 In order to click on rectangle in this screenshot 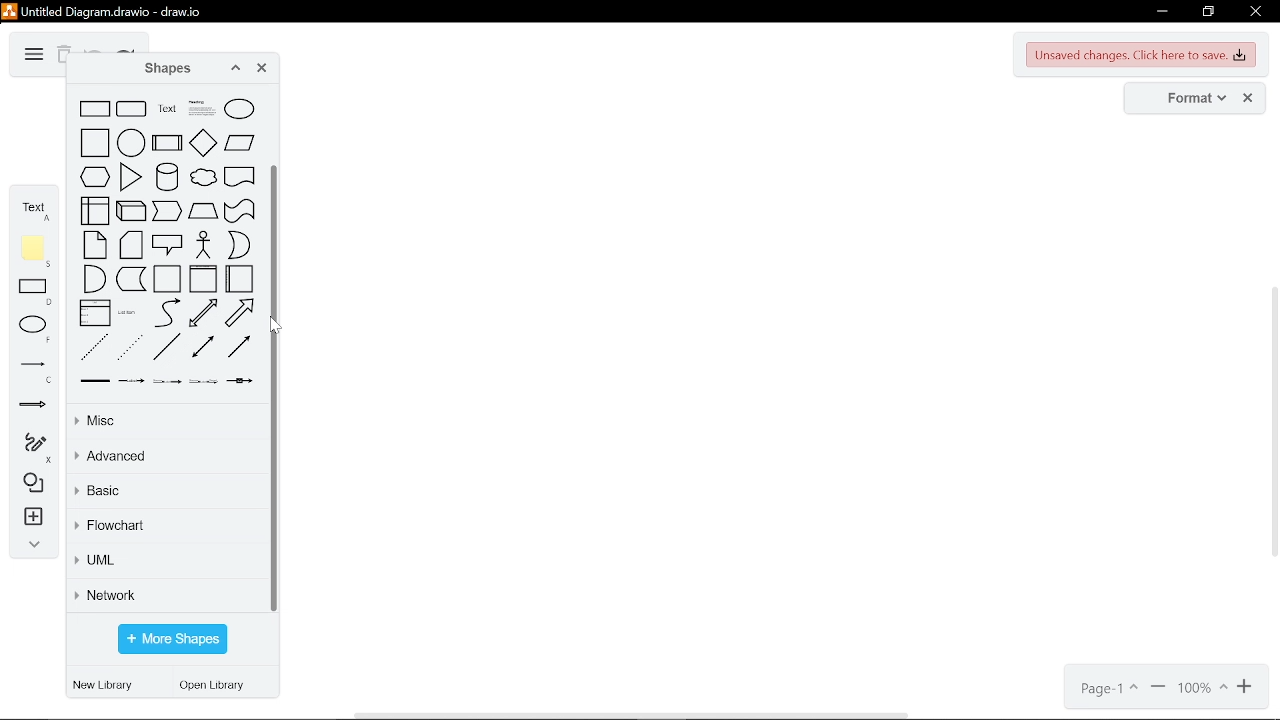, I will do `click(36, 293)`.